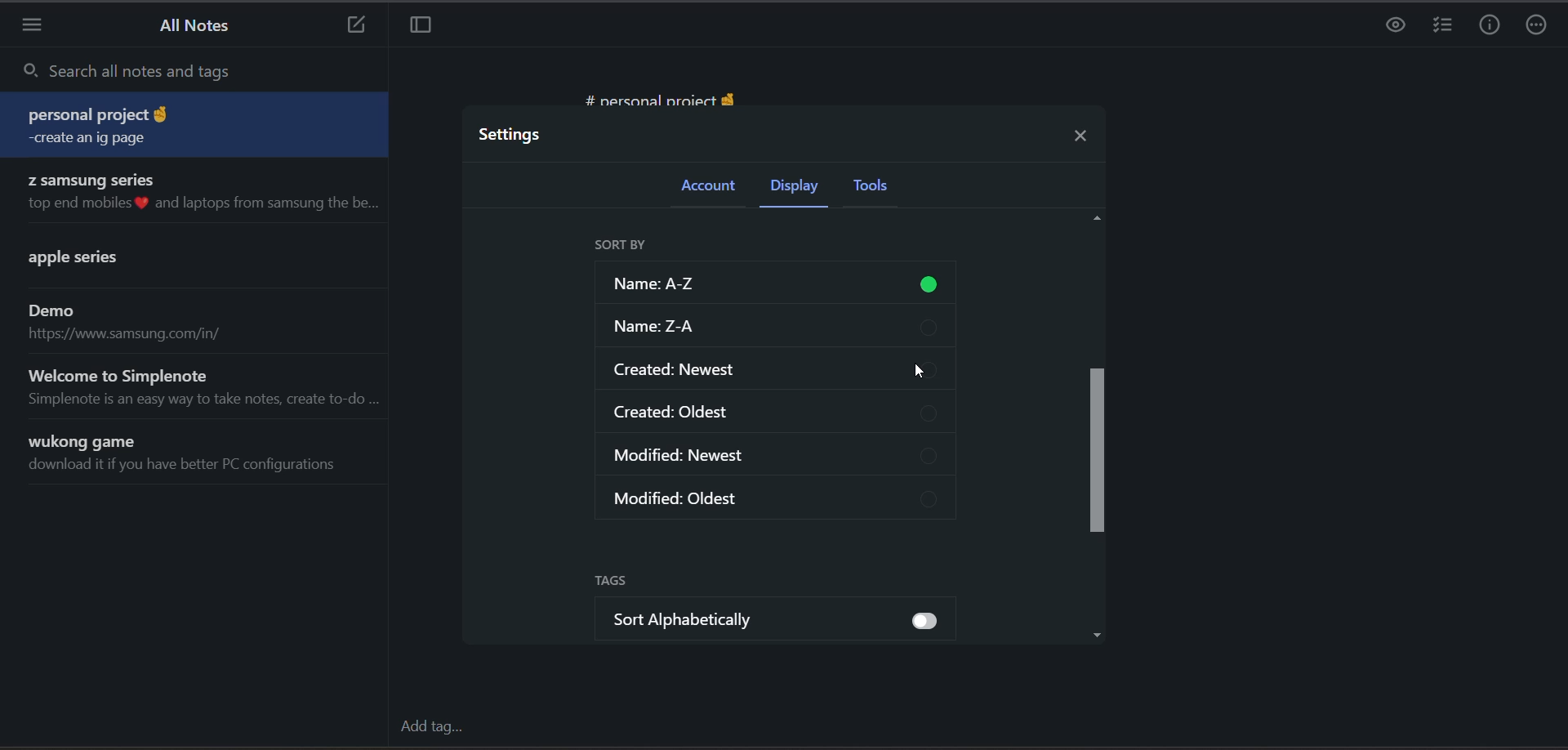 Image resolution: width=1568 pixels, height=750 pixels. I want to click on note title and preview, so click(186, 455).